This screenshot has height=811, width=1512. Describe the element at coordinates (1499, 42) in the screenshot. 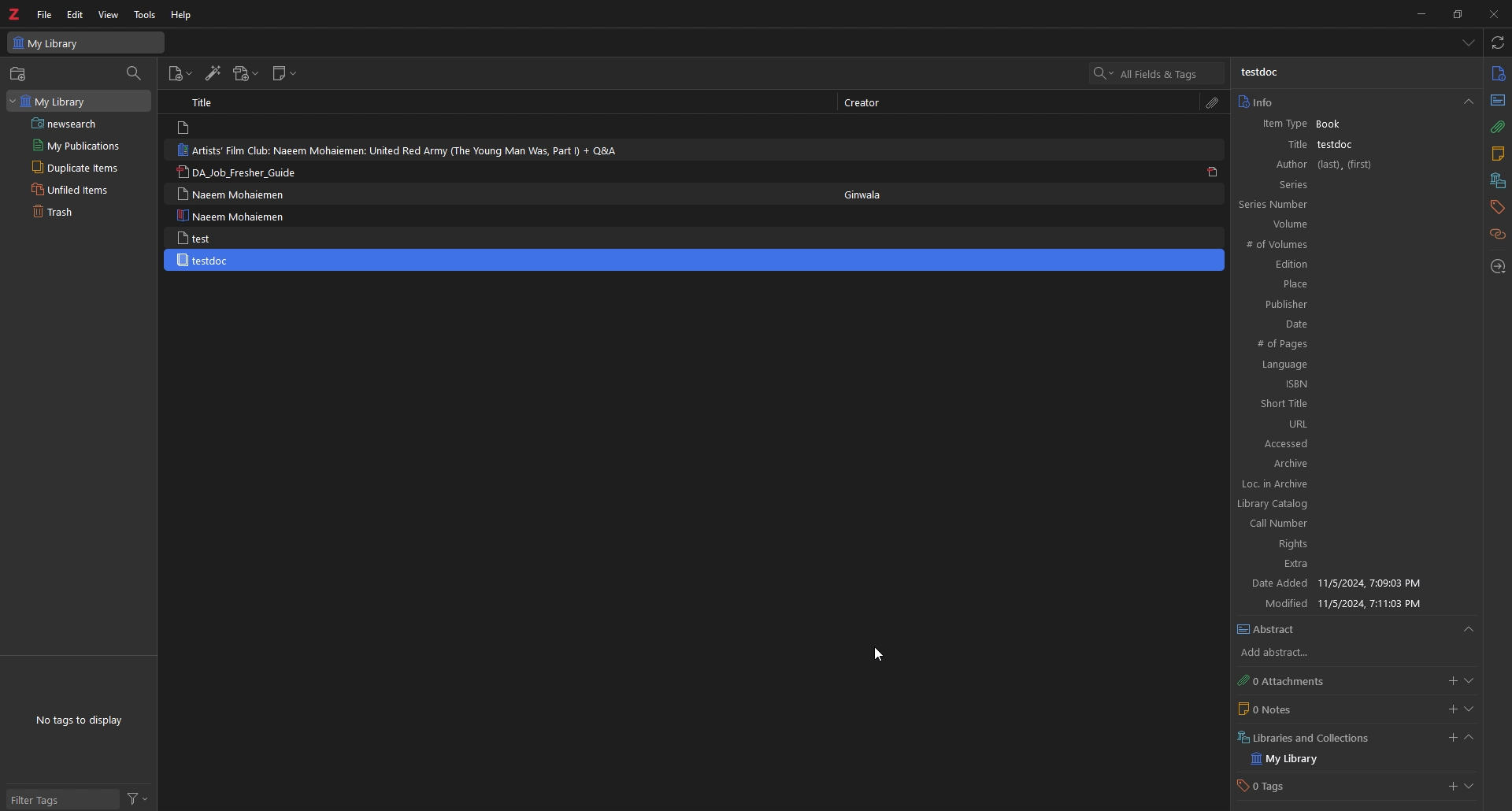

I see `sync with zotero.org` at that location.